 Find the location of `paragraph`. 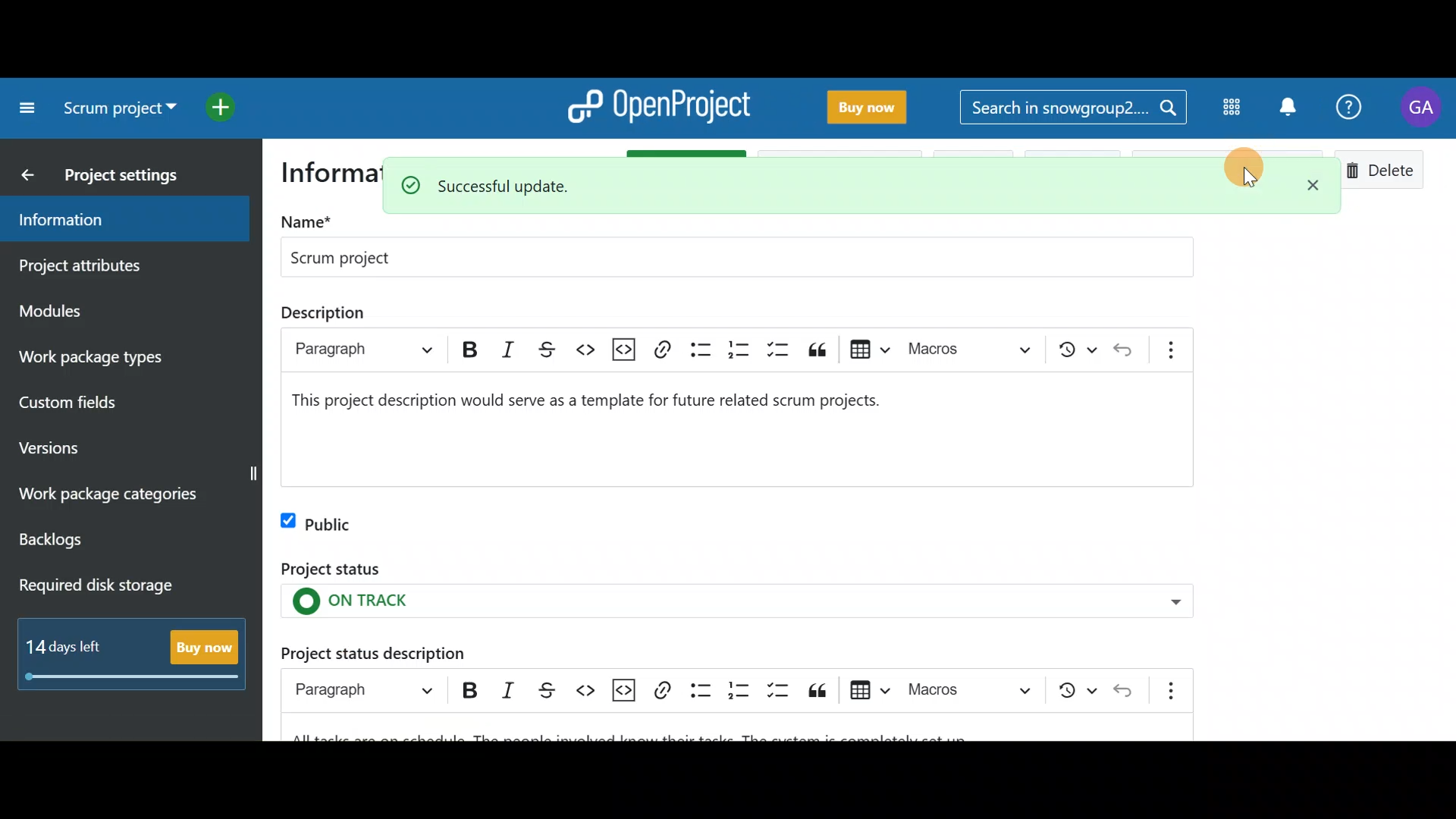

paragraph is located at coordinates (361, 349).